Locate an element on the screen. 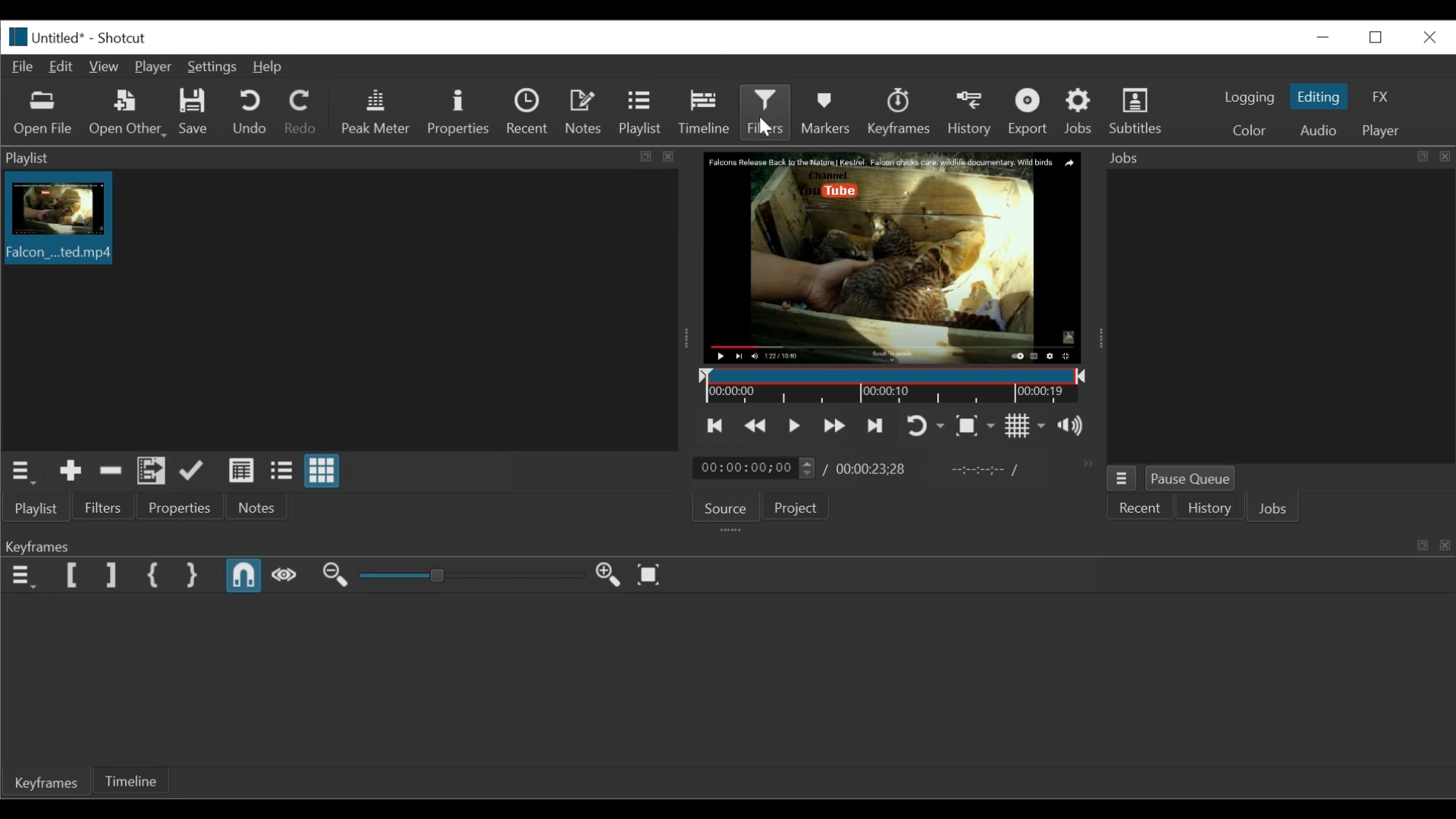  Zoom keyframe slider is located at coordinates (472, 576).